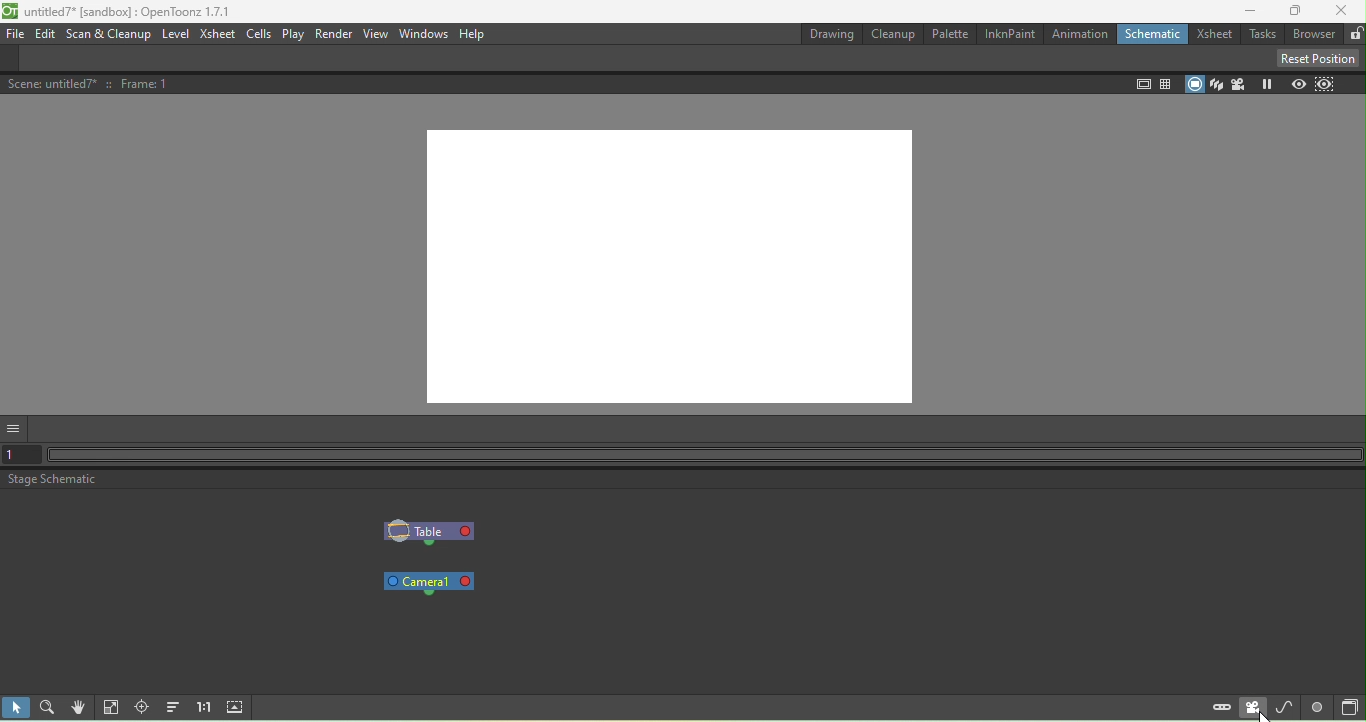 Image resolution: width=1366 pixels, height=722 pixels. I want to click on Fit to window, so click(114, 707).